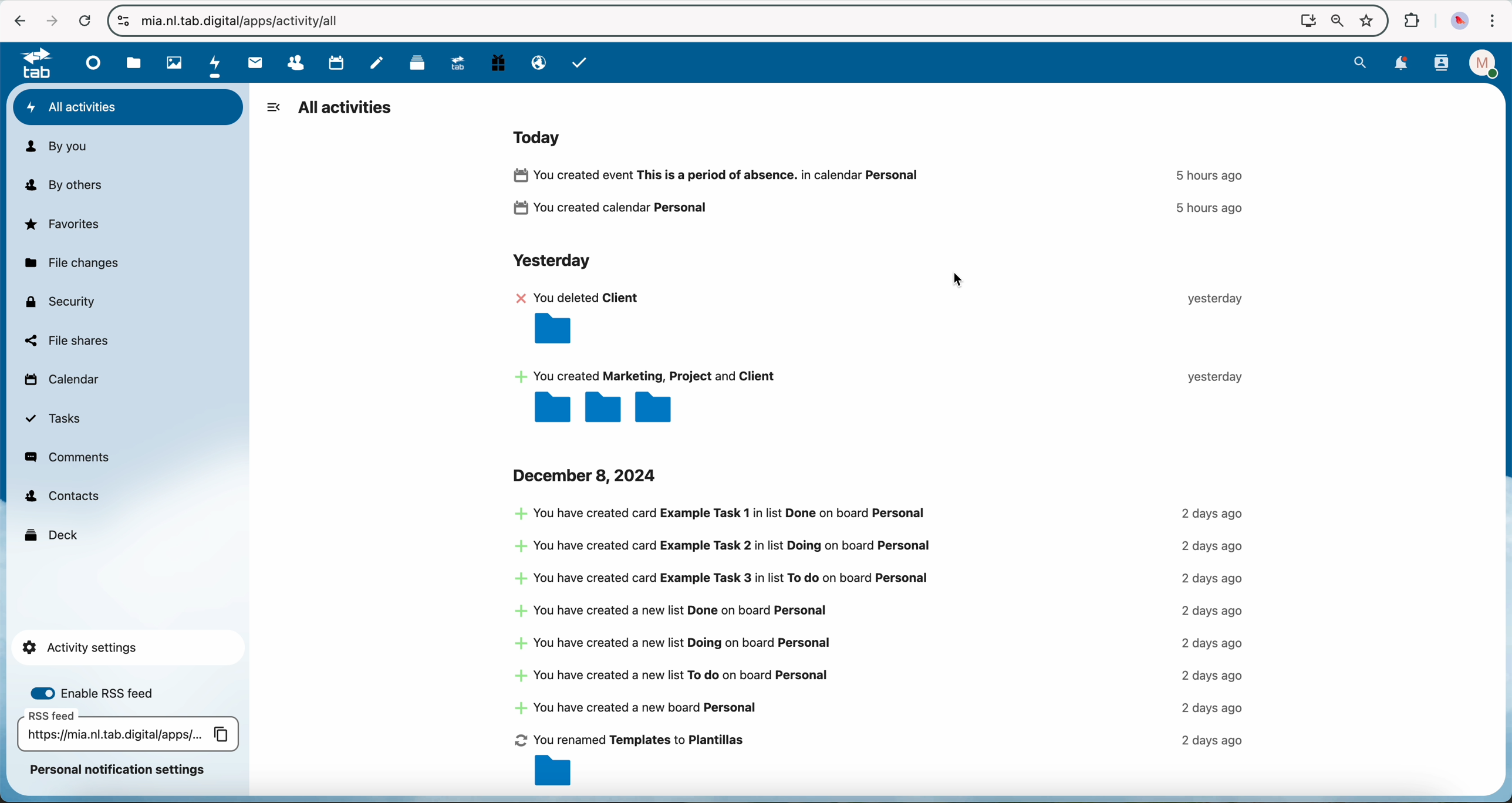 This screenshot has height=803, width=1512. Describe the element at coordinates (102, 691) in the screenshot. I see `enable RSS feed` at that location.